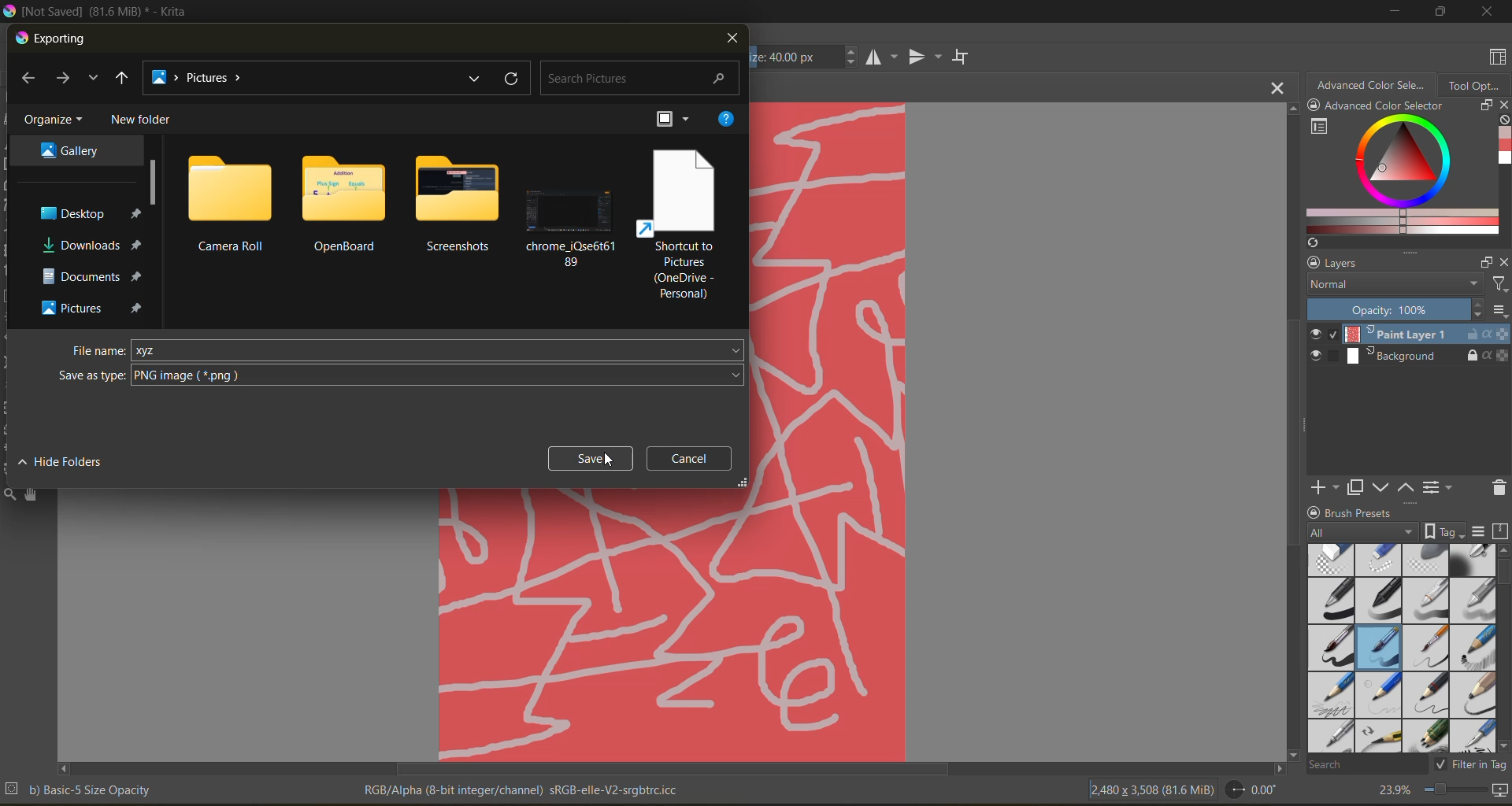 This screenshot has height=806, width=1512. I want to click on Refresh, so click(1310, 242).